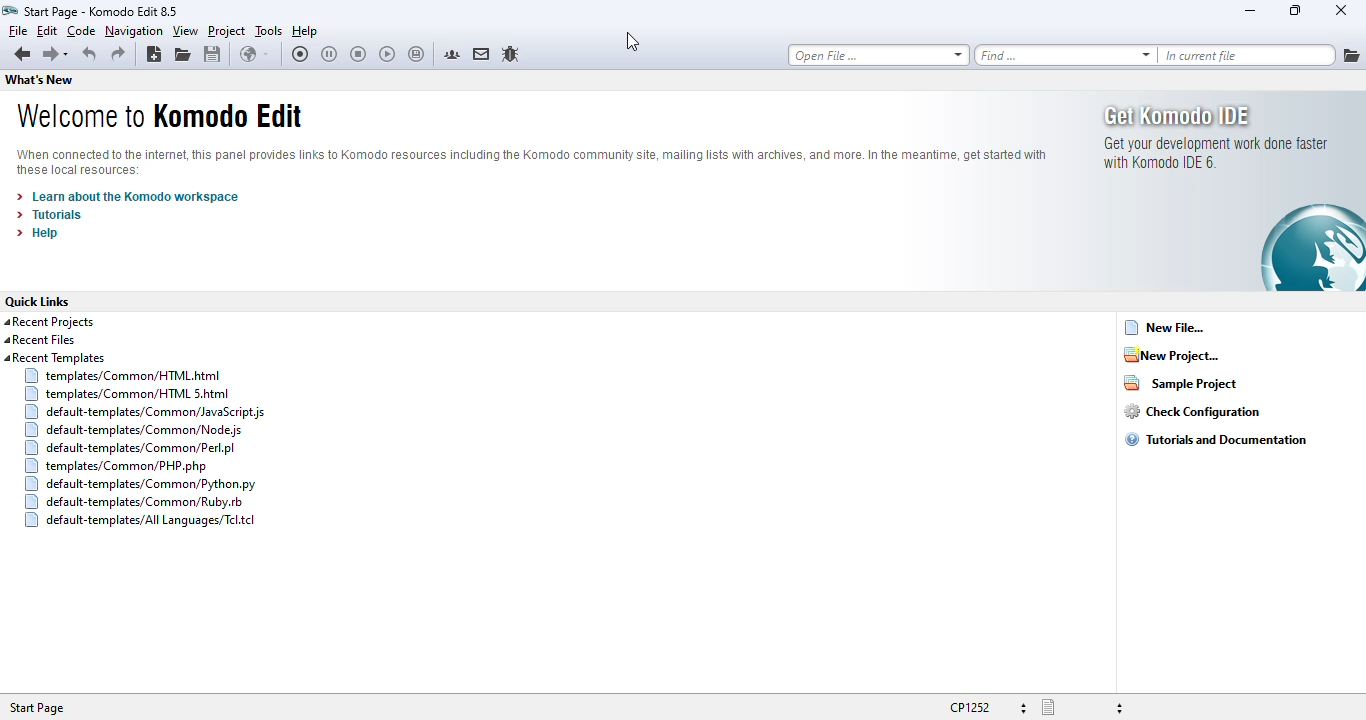 The height and width of the screenshot is (720, 1366). What do you see at coordinates (213, 54) in the screenshot?
I see `save file` at bounding box center [213, 54].